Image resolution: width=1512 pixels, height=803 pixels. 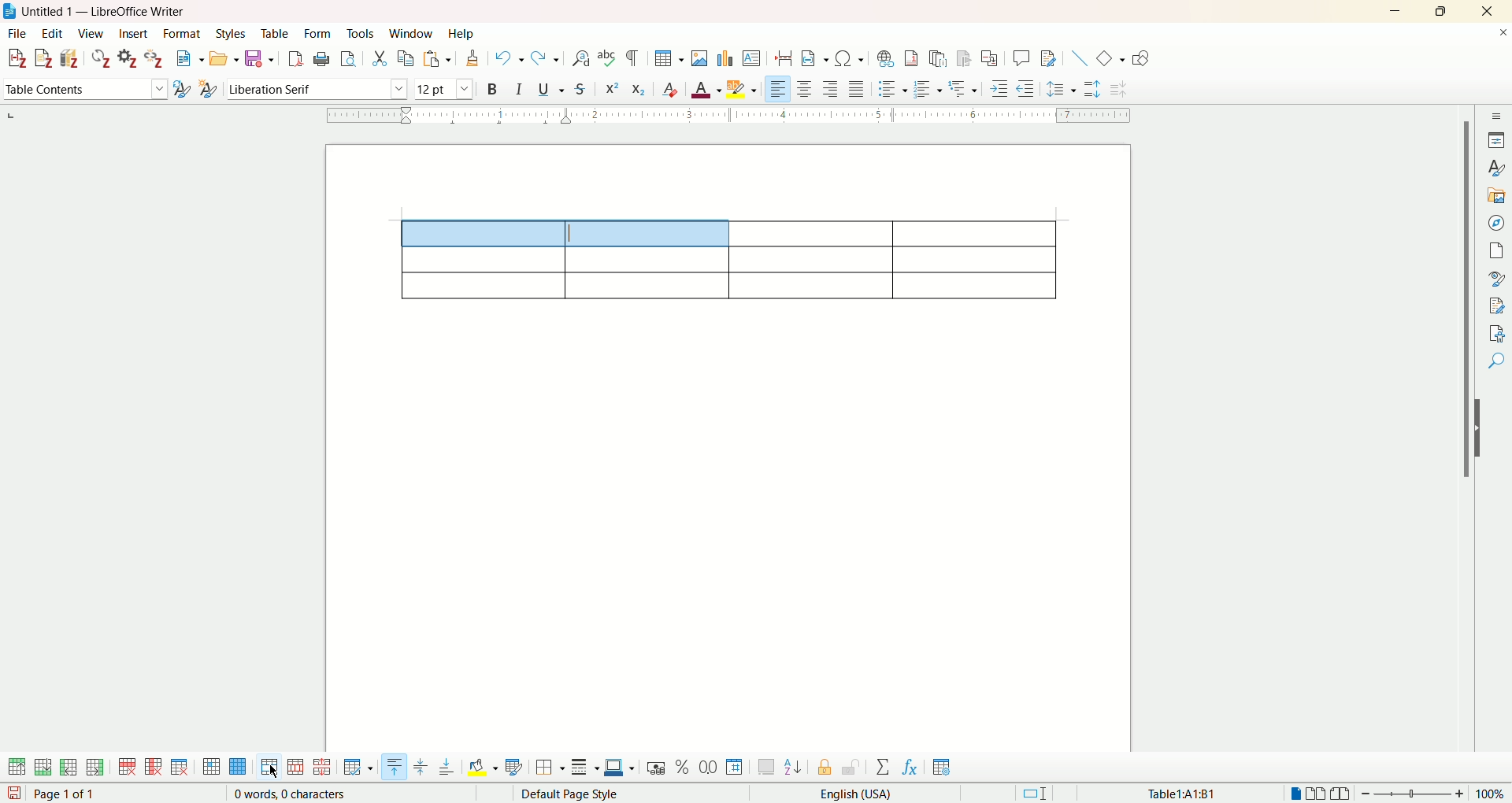 What do you see at coordinates (323, 59) in the screenshot?
I see `print` at bounding box center [323, 59].